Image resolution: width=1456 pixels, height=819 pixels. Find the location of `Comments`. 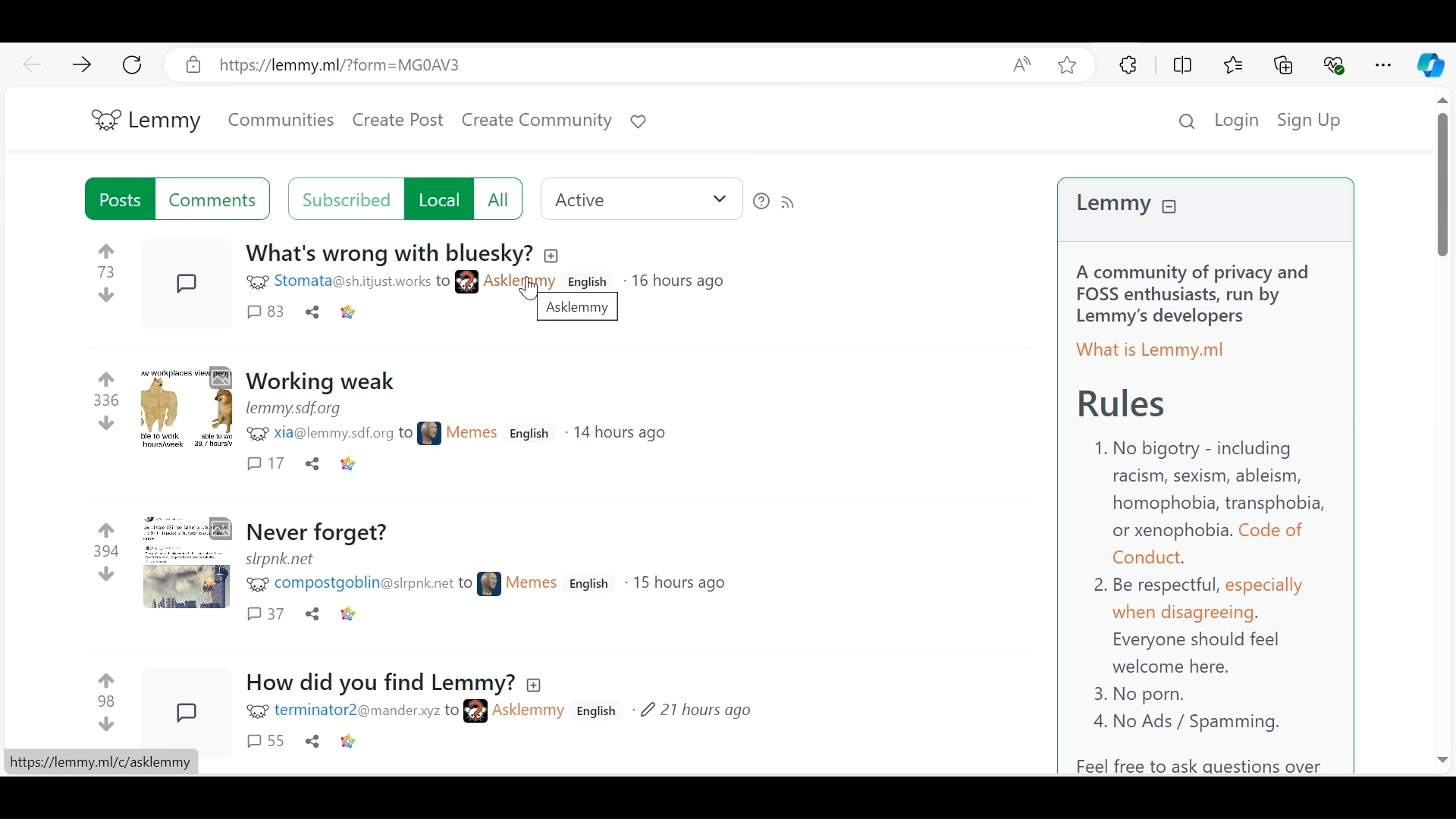

Comments is located at coordinates (266, 312).